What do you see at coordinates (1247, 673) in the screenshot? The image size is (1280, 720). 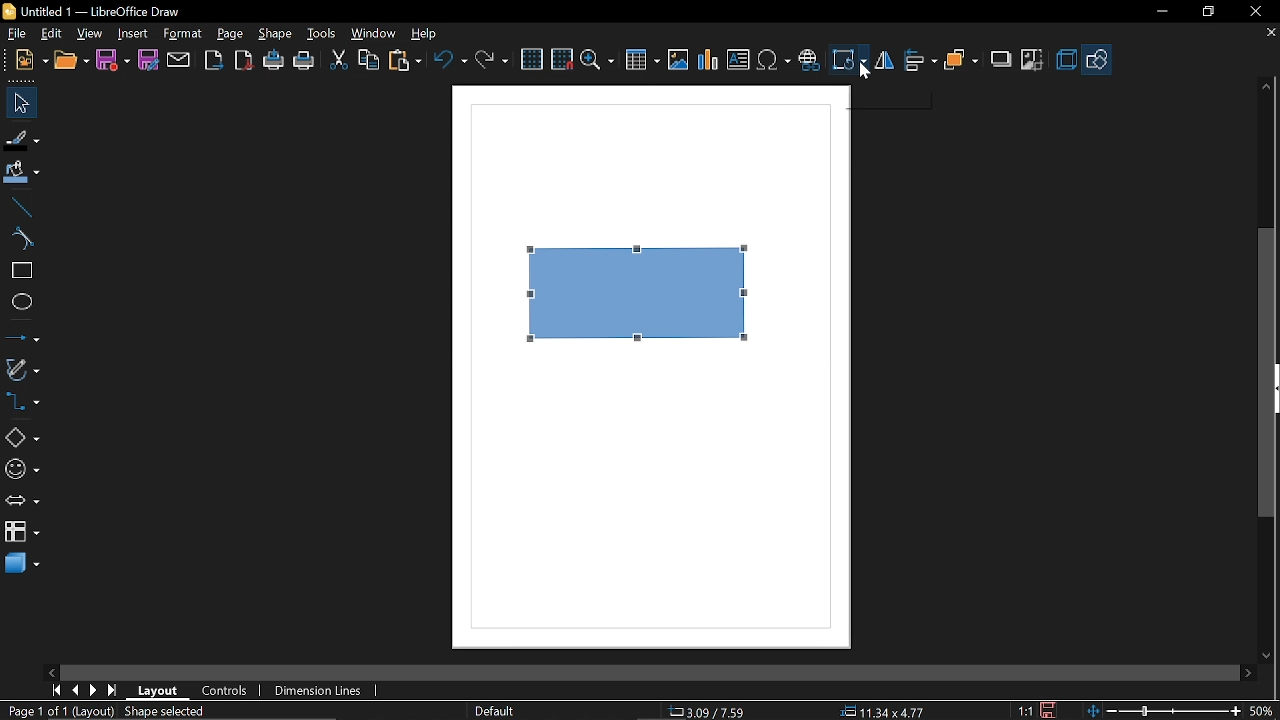 I see `Move right` at bounding box center [1247, 673].